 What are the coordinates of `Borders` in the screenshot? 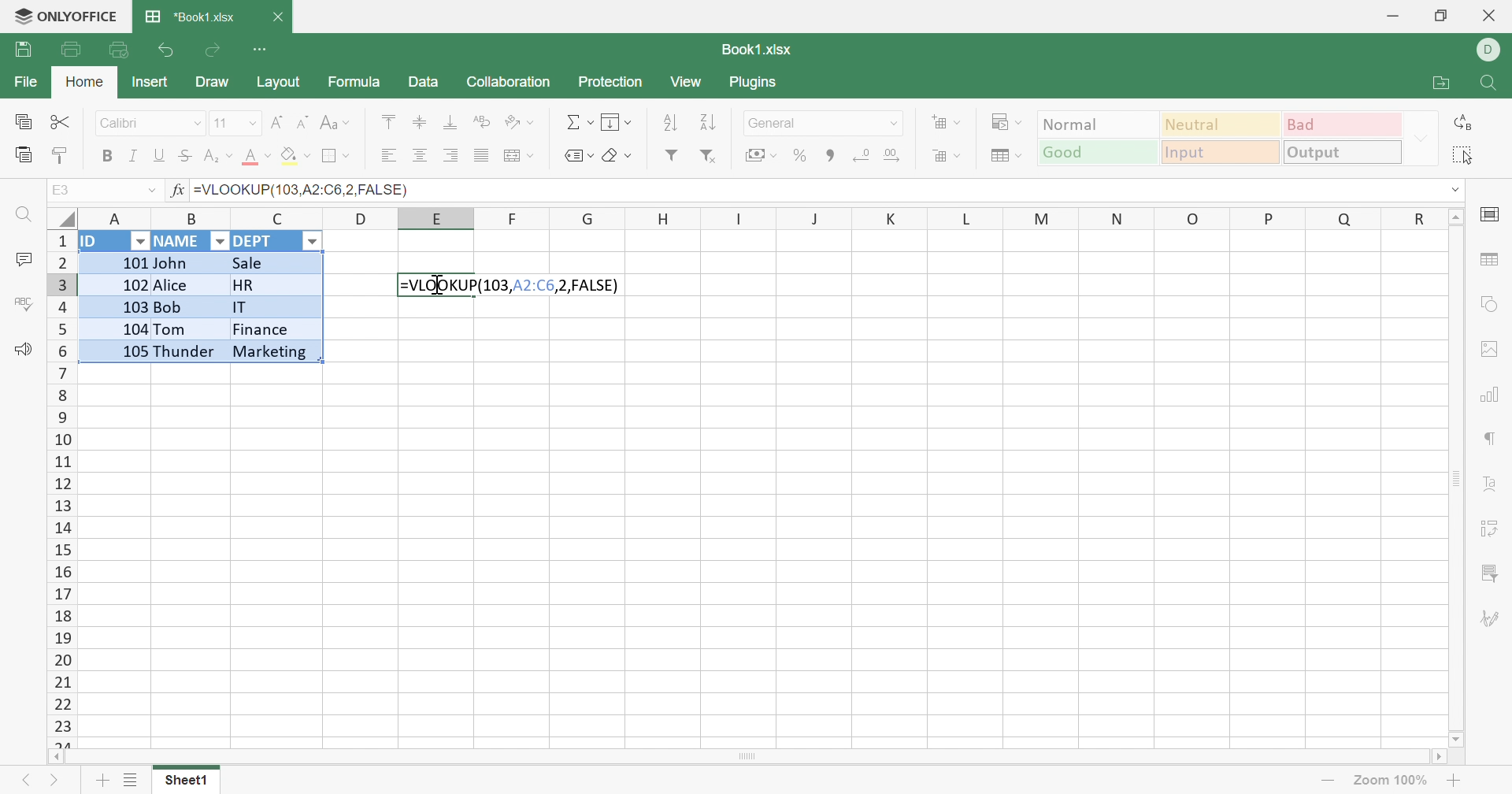 It's located at (333, 156).